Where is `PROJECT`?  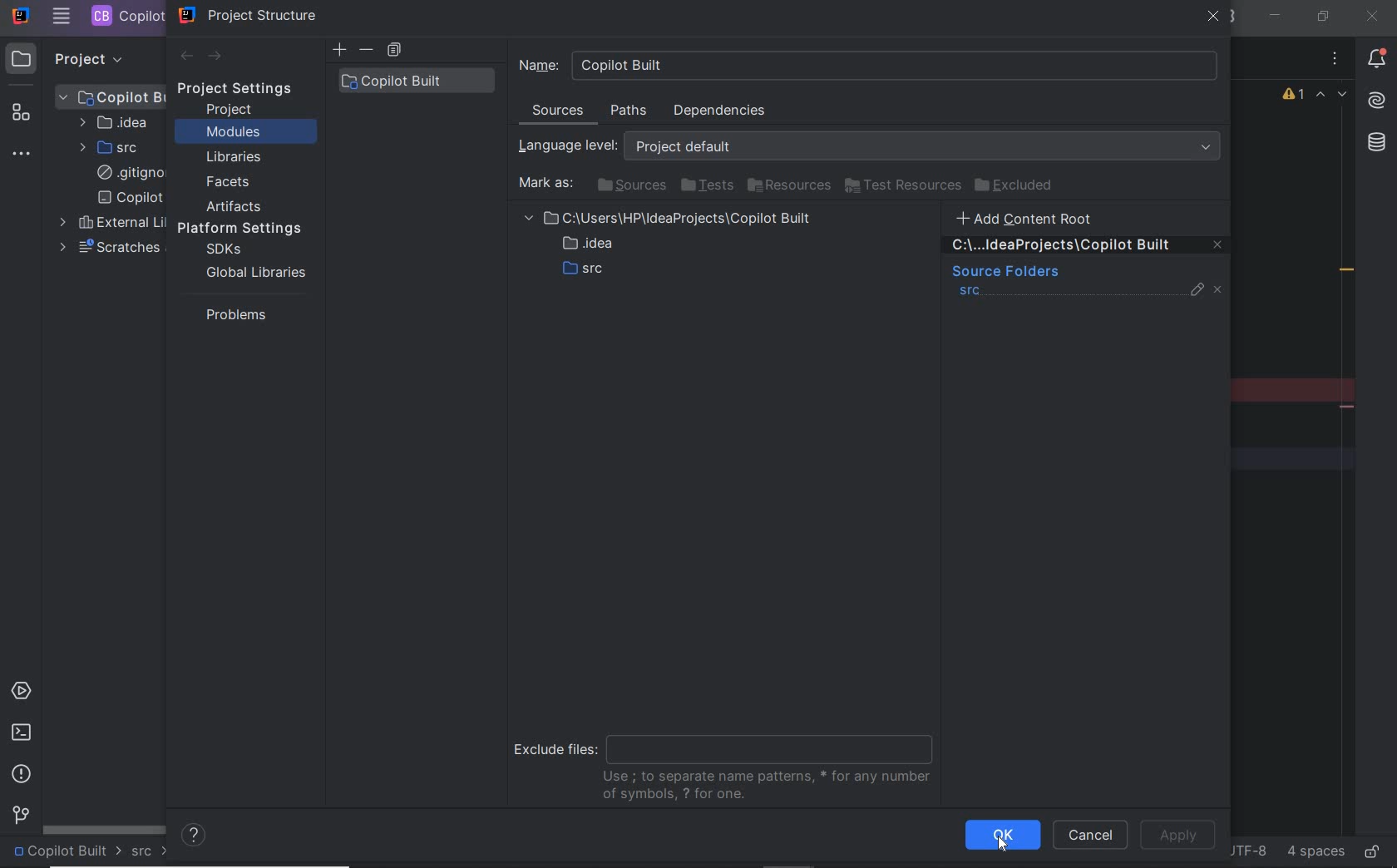
PROJECT is located at coordinates (74, 58).